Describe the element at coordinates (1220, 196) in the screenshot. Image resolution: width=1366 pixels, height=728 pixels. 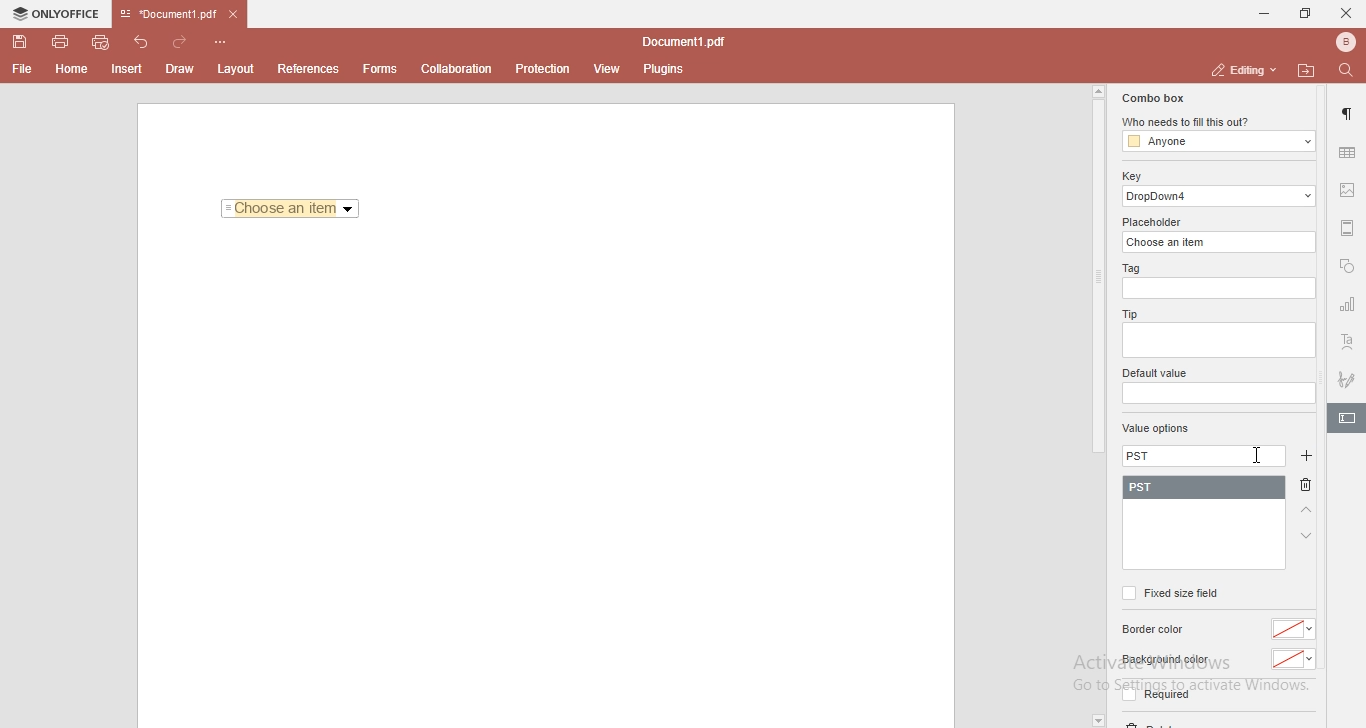
I see `dropdown 4` at that location.